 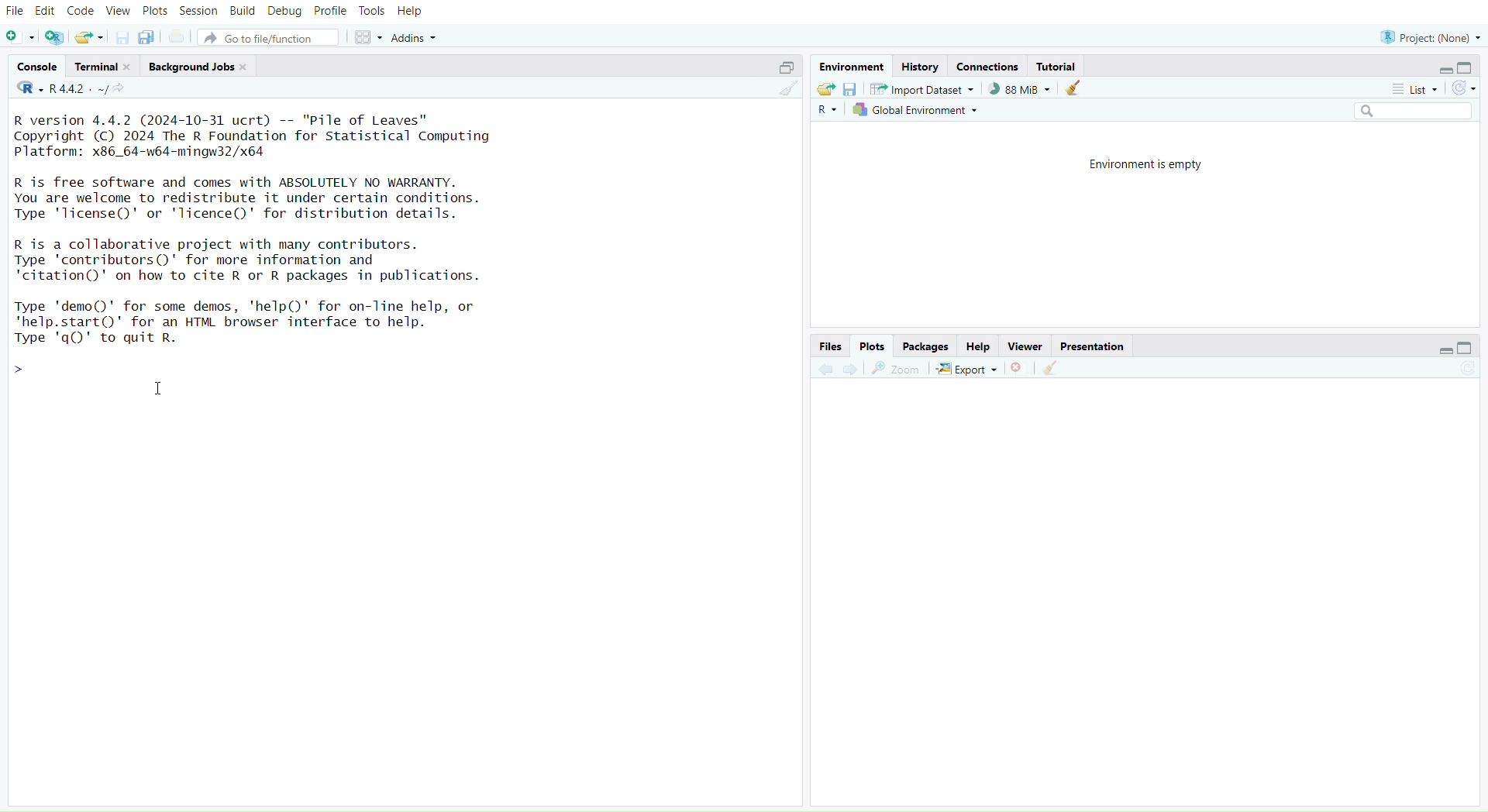 I want to click on collapse, so click(x=1467, y=347).